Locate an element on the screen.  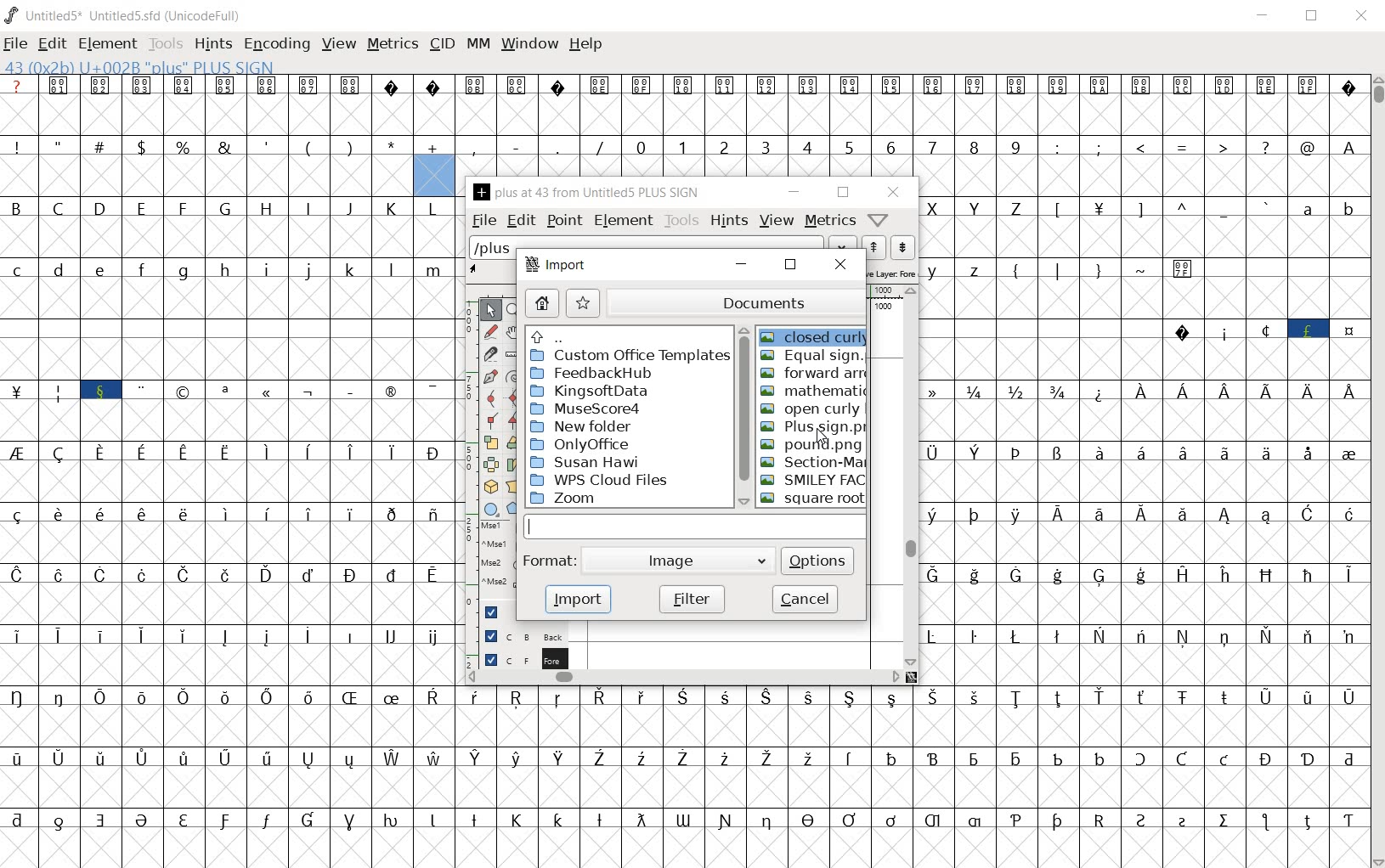
edit is located at coordinates (520, 222).